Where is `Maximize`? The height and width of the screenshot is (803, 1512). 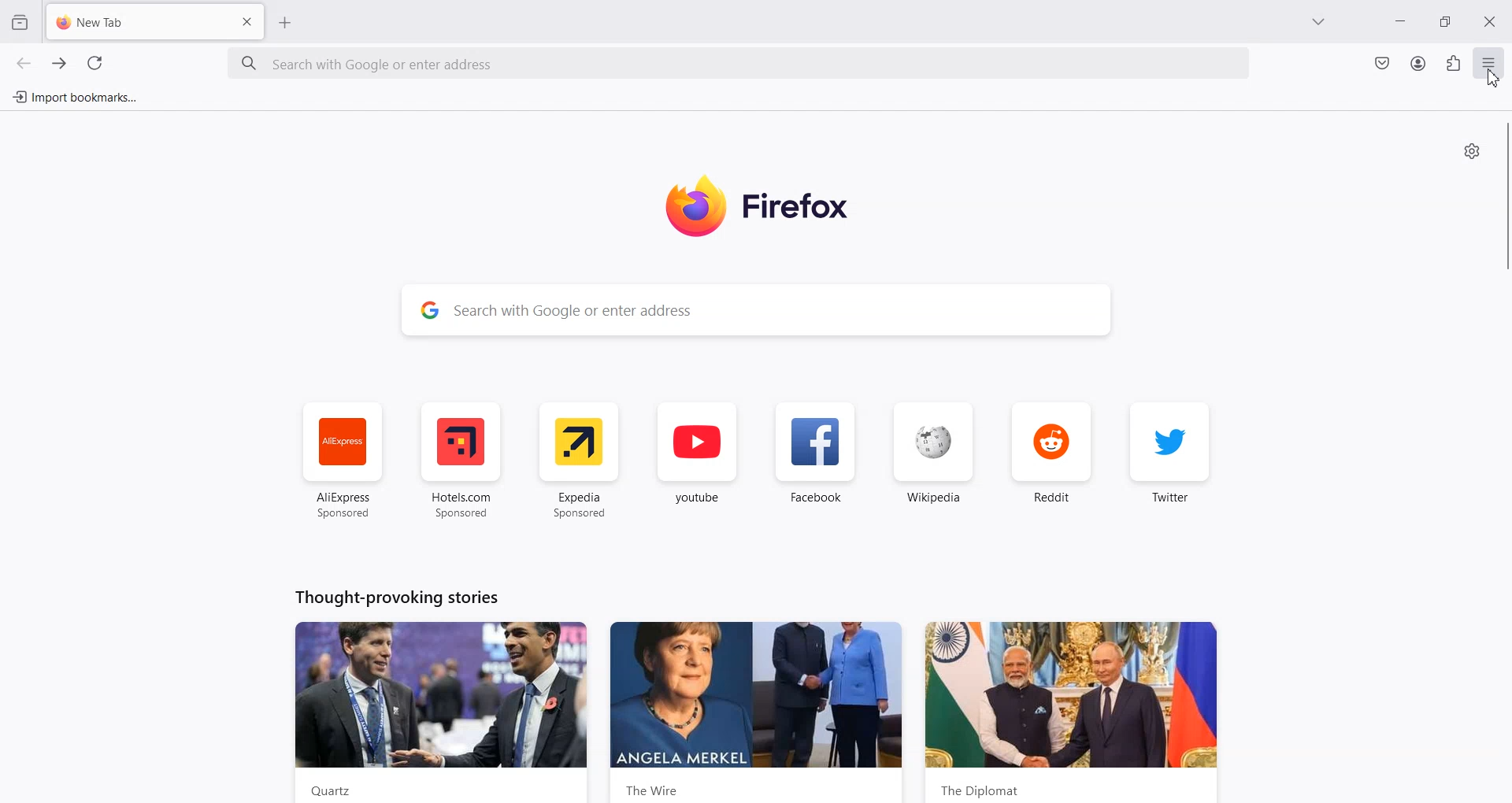
Maximize is located at coordinates (1445, 20).